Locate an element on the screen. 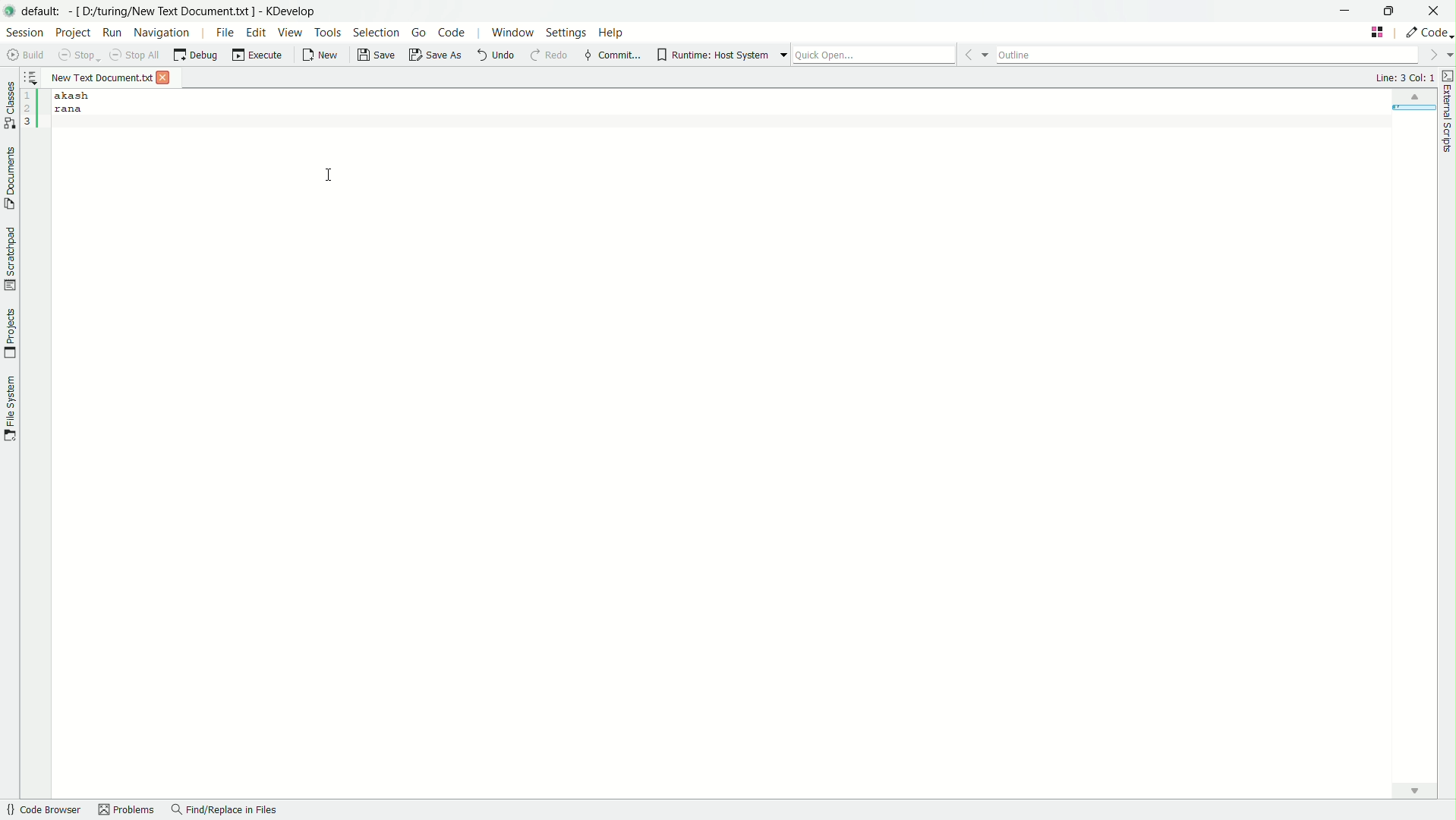 The width and height of the screenshot is (1456, 820). navigation menu is located at coordinates (162, 33).